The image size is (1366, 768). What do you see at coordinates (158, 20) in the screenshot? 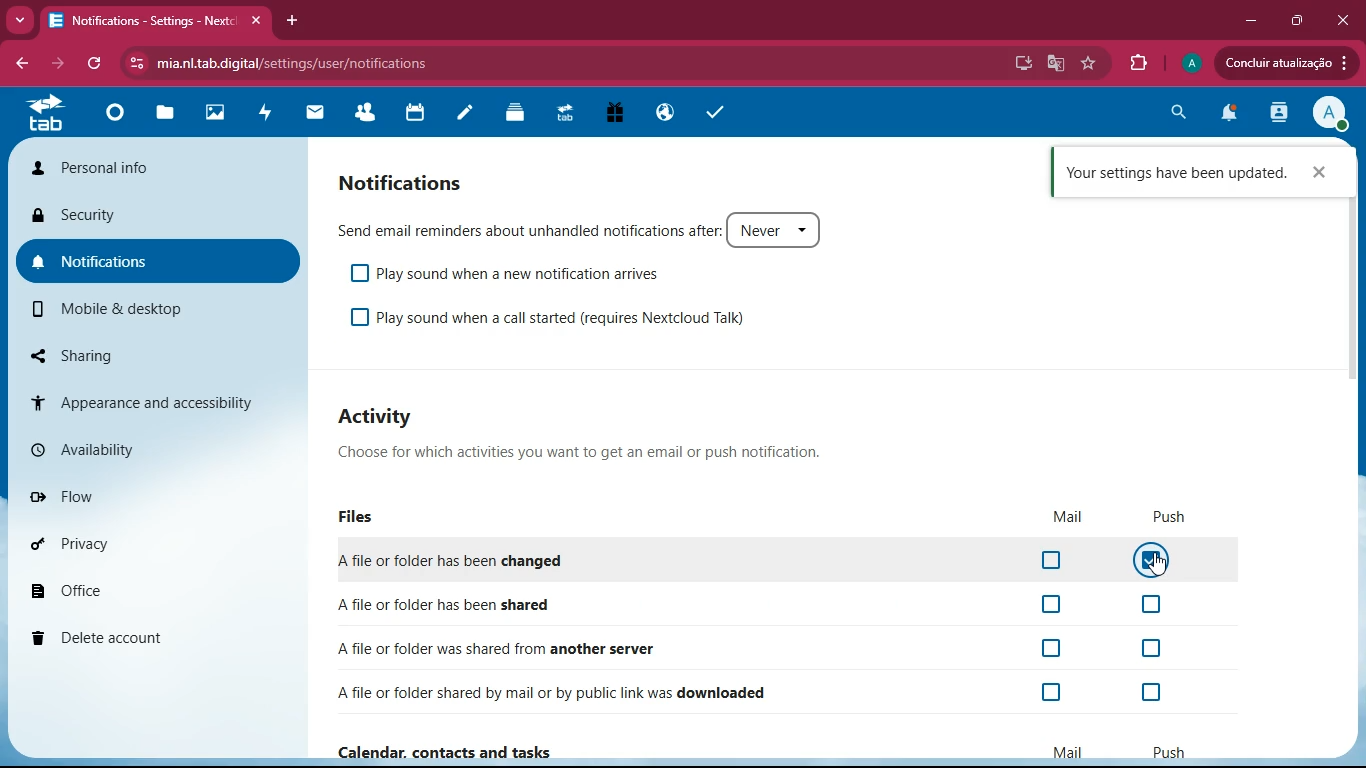
I see `tab` at bounding box center [158, 20].